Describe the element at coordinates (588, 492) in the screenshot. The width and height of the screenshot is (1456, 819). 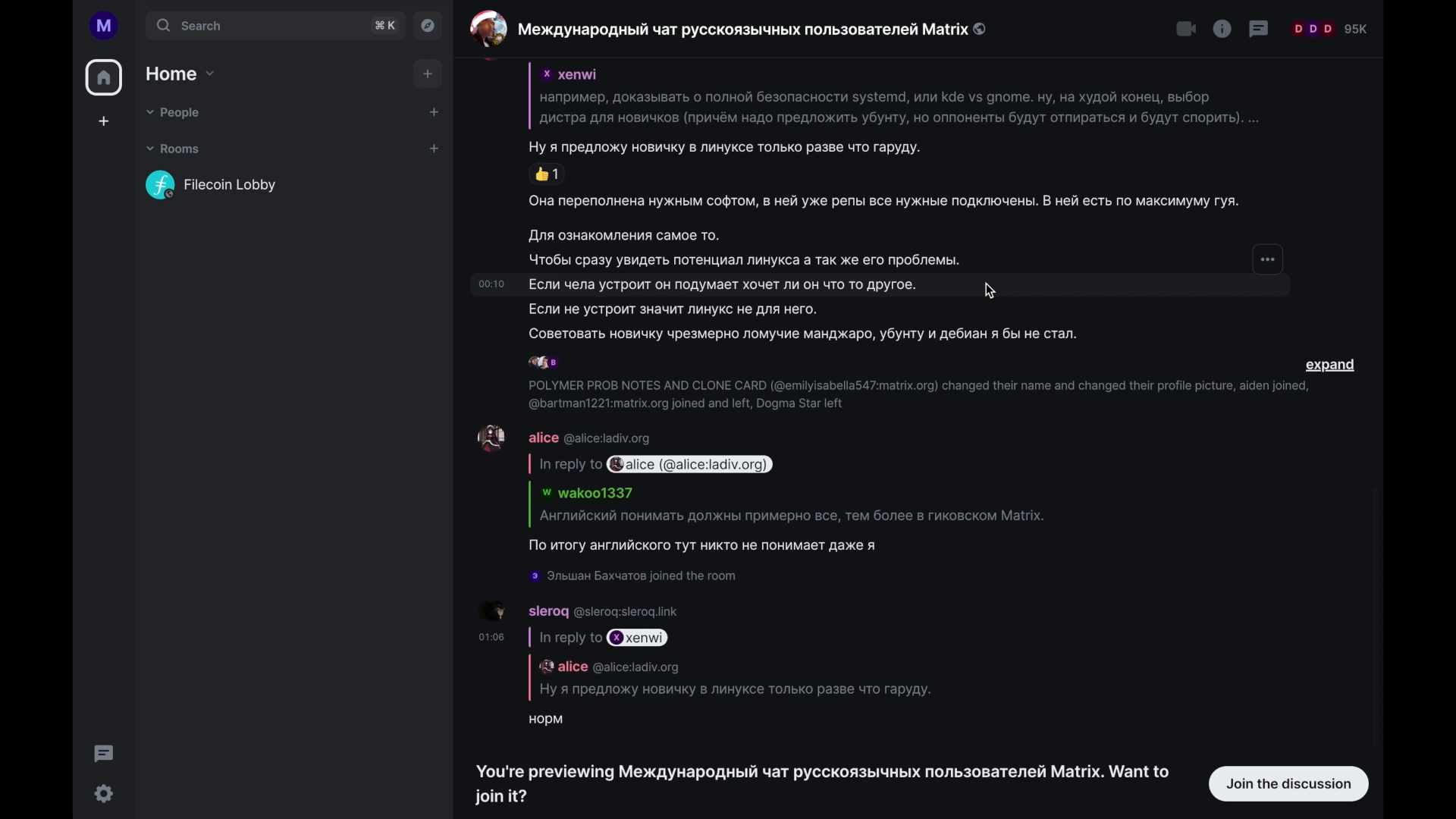
I see `wakoo1337` at that location.